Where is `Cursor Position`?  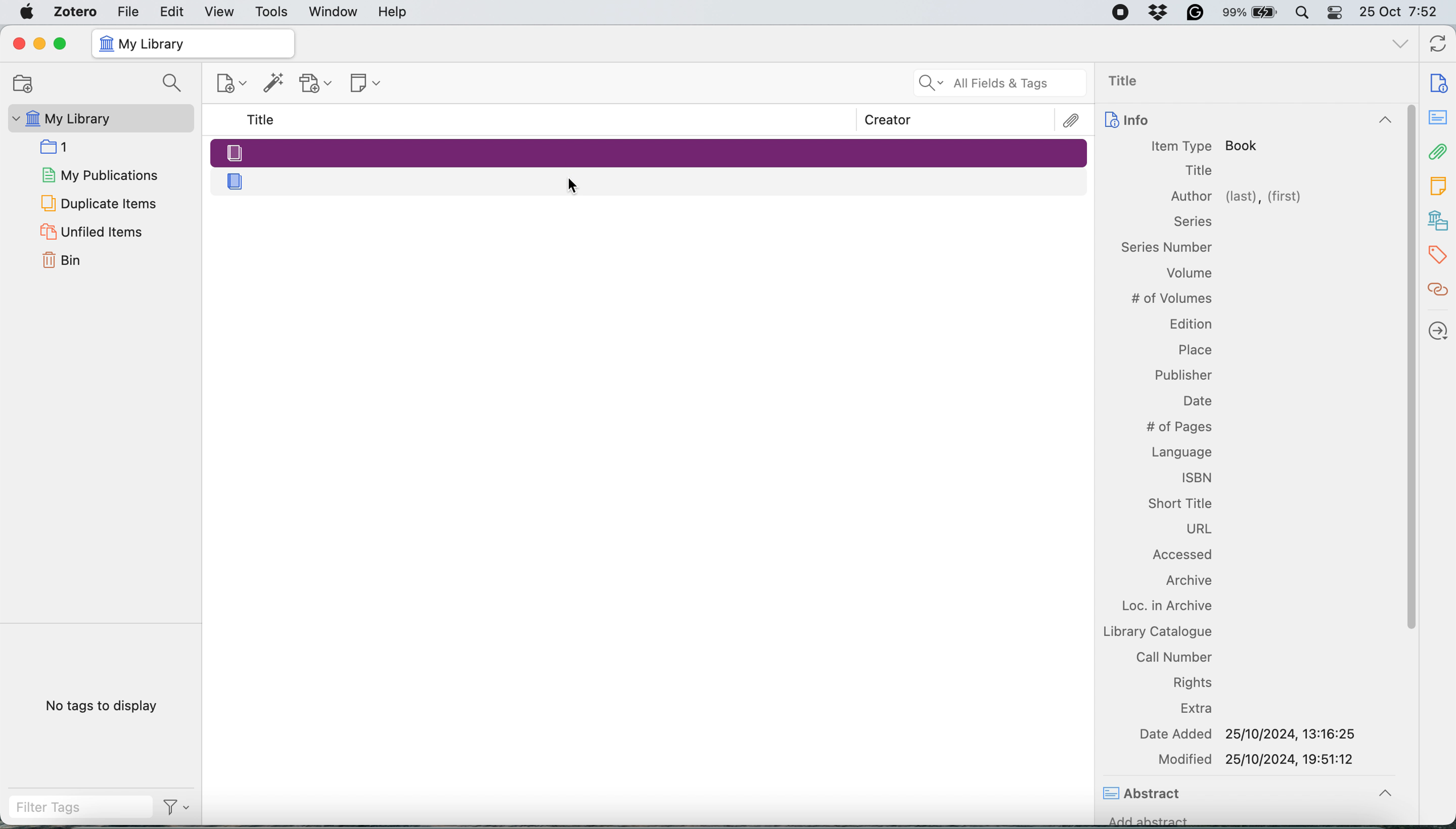
Cursor Position is located at coordinates (572, 186).